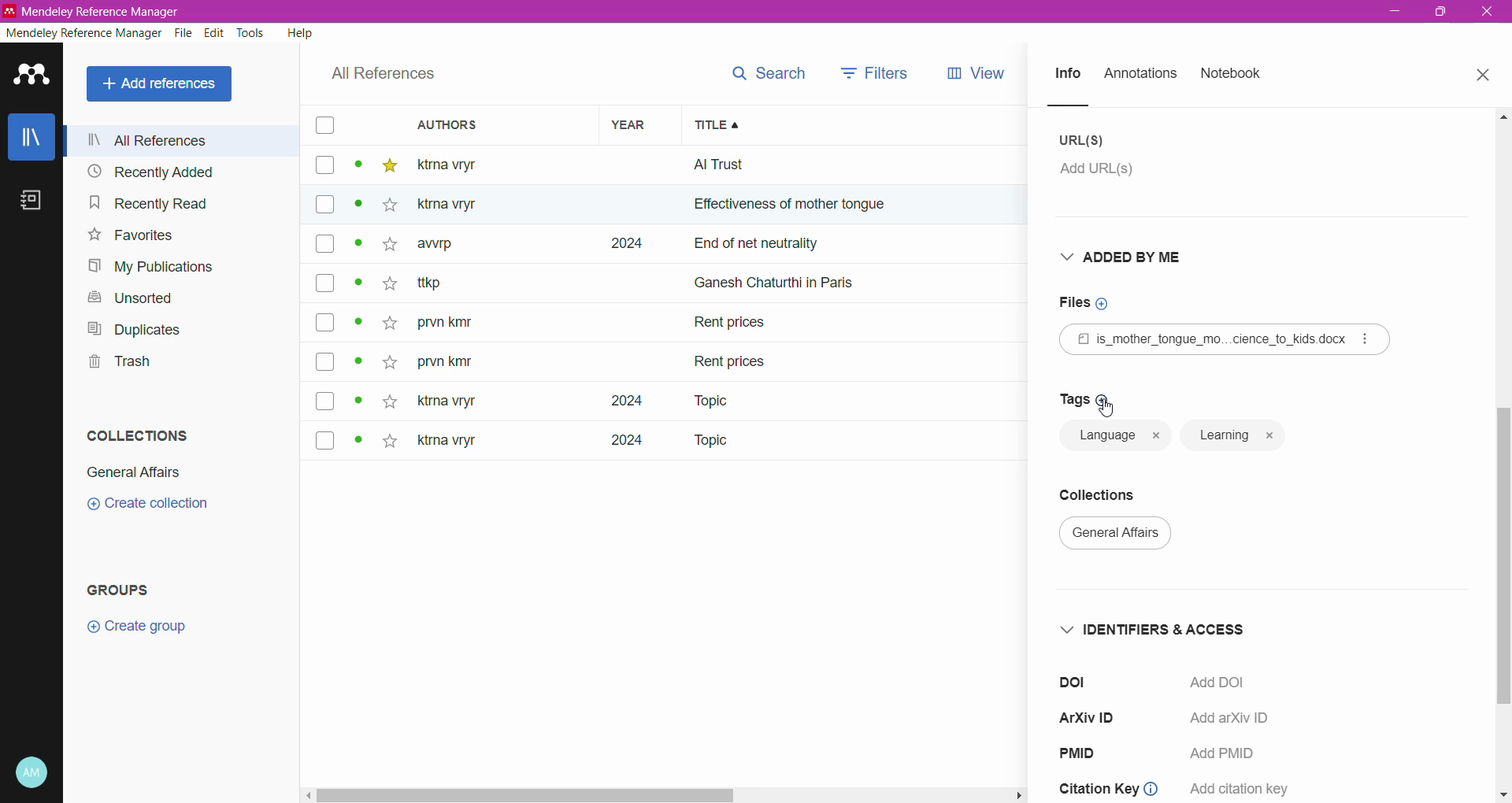 The image size is (1512, 803). What do you see at coordinates (623, 244) in the screenshot?
I see `2024` at bounding box center [623, 244].